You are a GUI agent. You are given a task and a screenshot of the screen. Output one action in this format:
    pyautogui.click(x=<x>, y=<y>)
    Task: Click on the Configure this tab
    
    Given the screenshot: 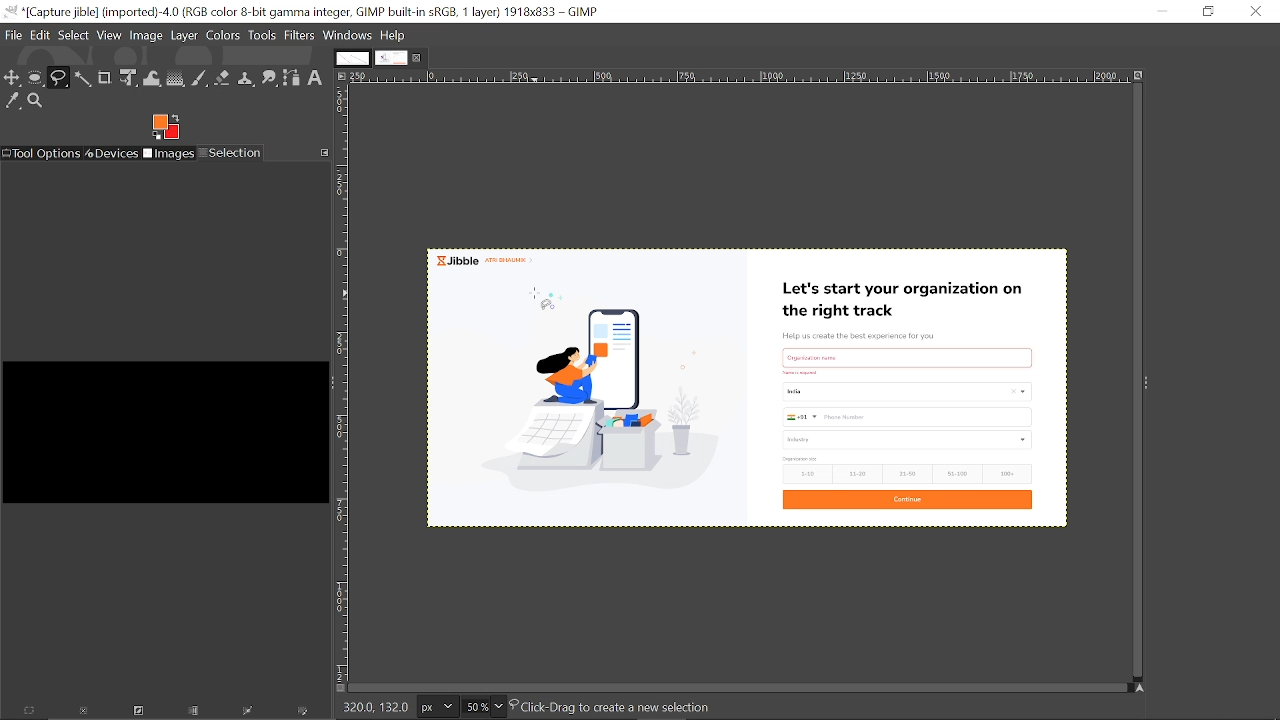 What is the action you would take?
    pyautogui.click(x=324, y=153)
    